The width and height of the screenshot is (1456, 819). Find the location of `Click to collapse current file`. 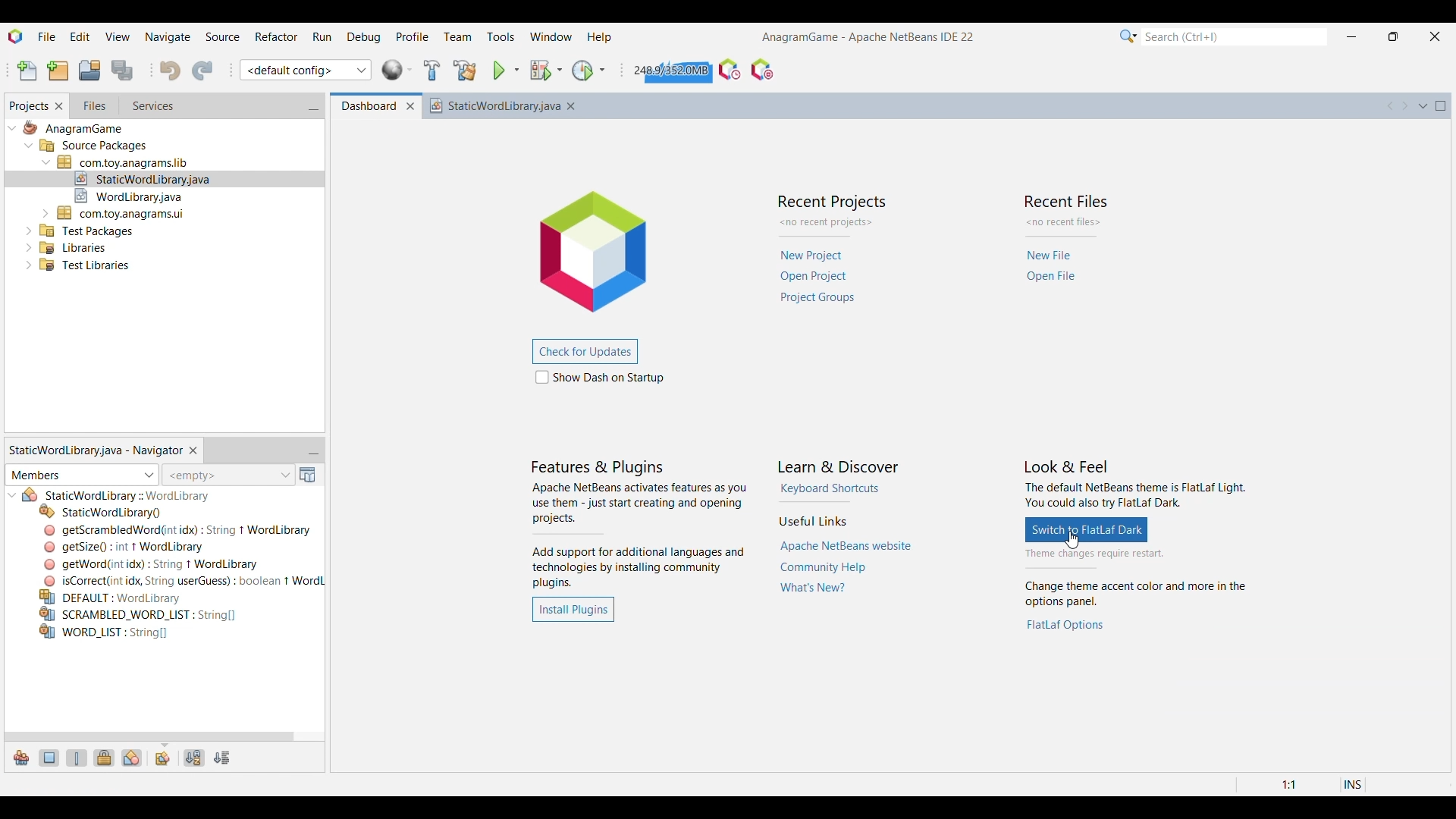

Click to collapse current file is located at coordinates (13, 495).